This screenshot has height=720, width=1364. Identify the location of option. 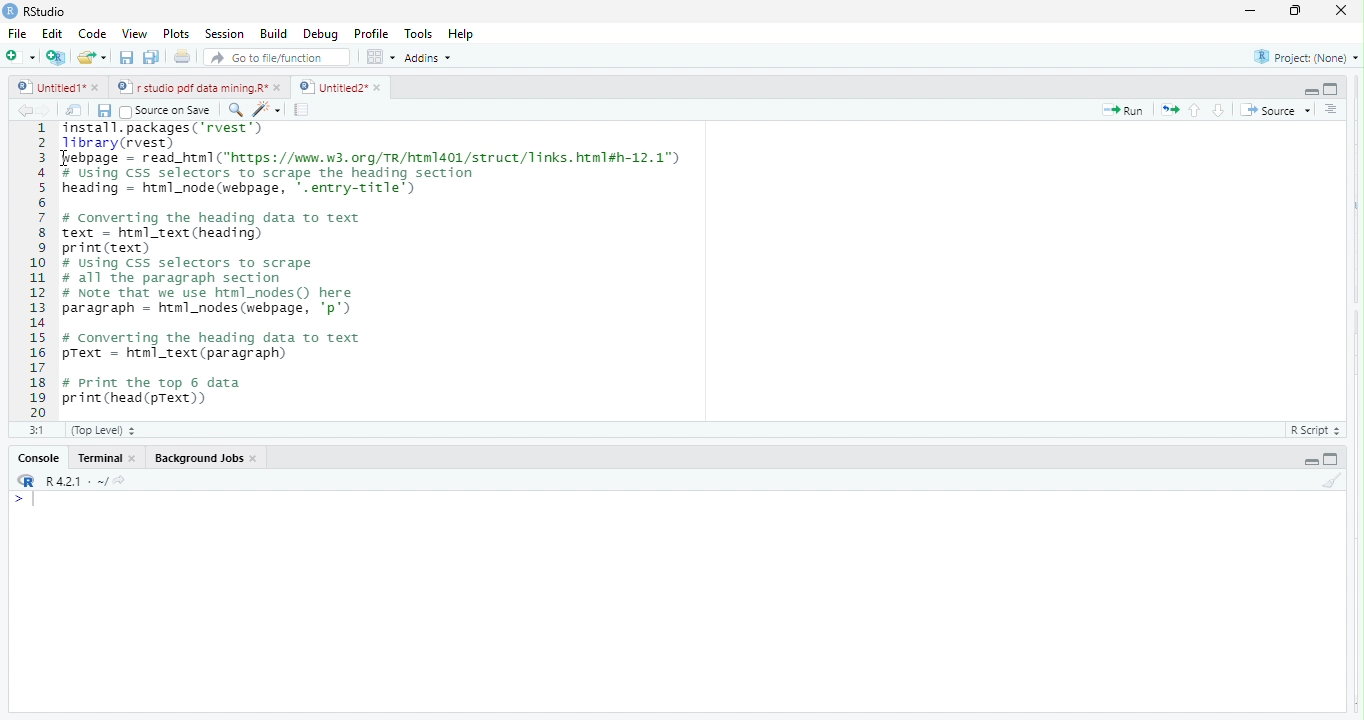
(380, 56).